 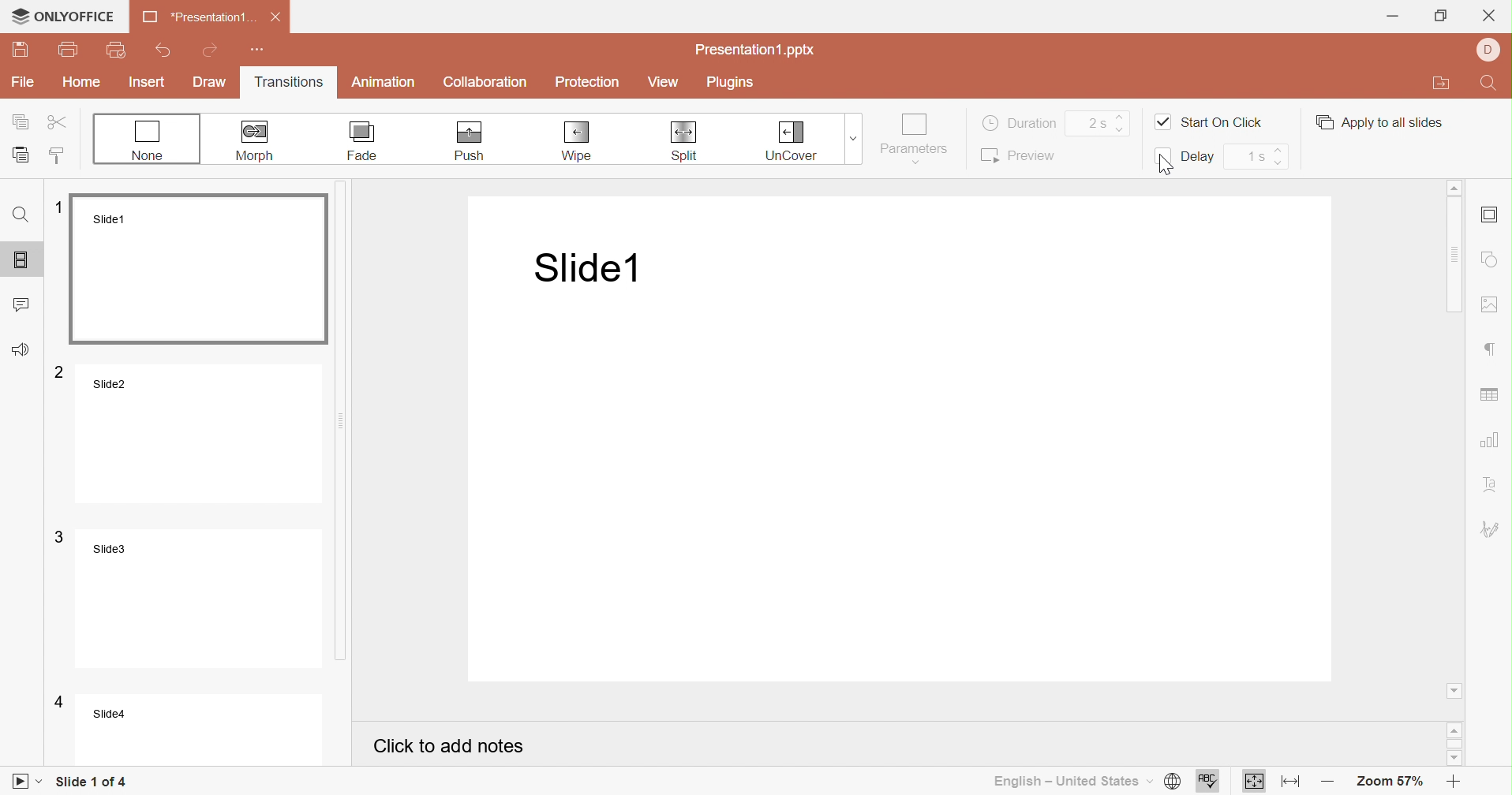 I want to click on Slide settings, so click(x=1488, y=215).